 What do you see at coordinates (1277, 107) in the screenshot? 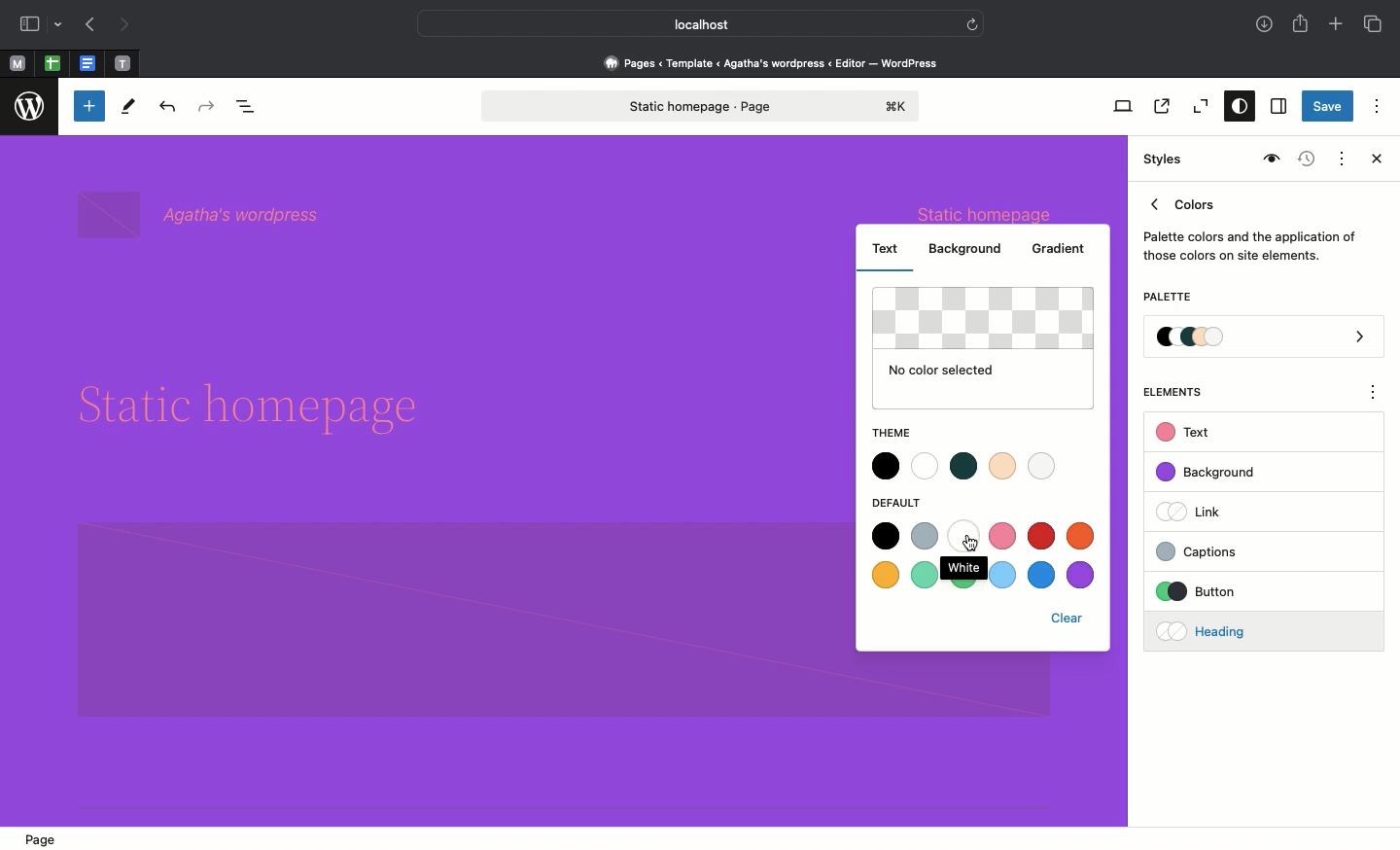
I see `Settings` at bounding box center [1277, 107].